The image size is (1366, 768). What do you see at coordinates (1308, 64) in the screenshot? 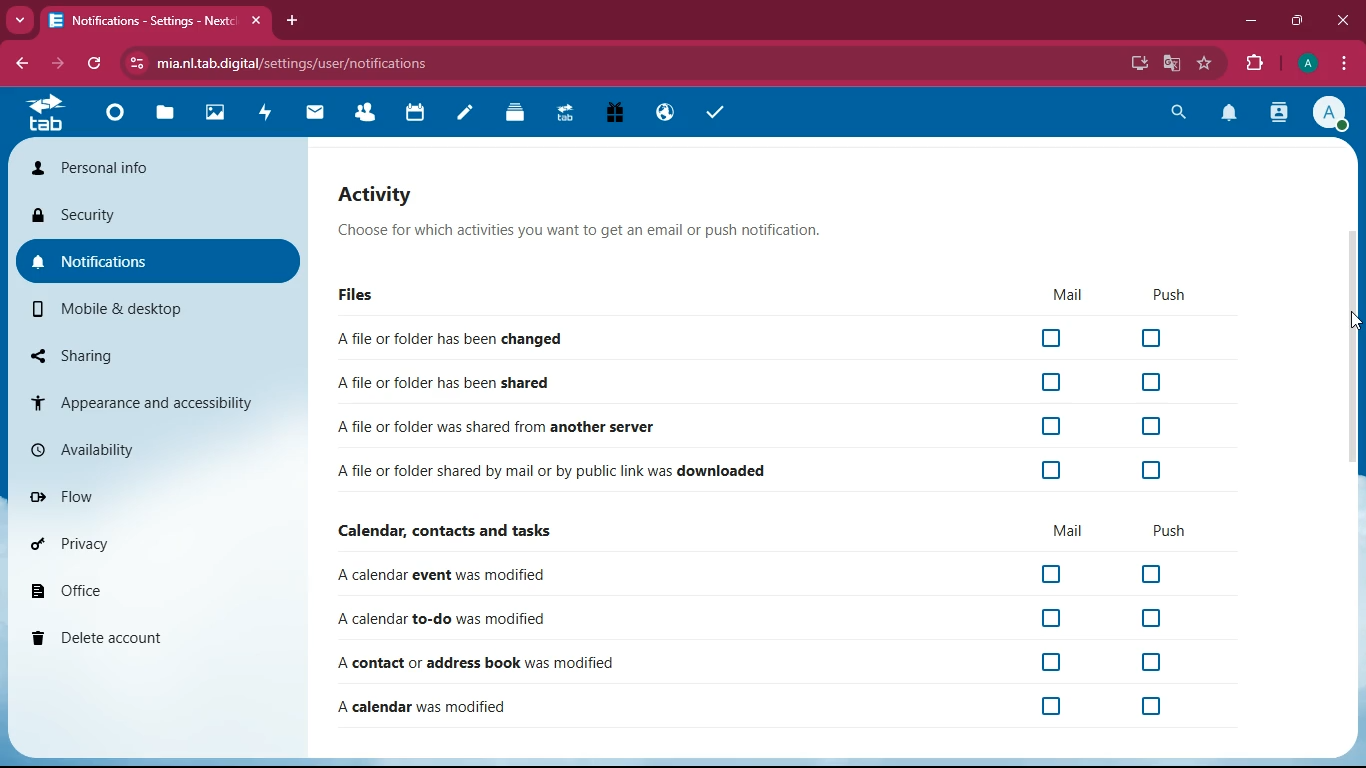
I see `profile` at bounding box center [1308, 64].